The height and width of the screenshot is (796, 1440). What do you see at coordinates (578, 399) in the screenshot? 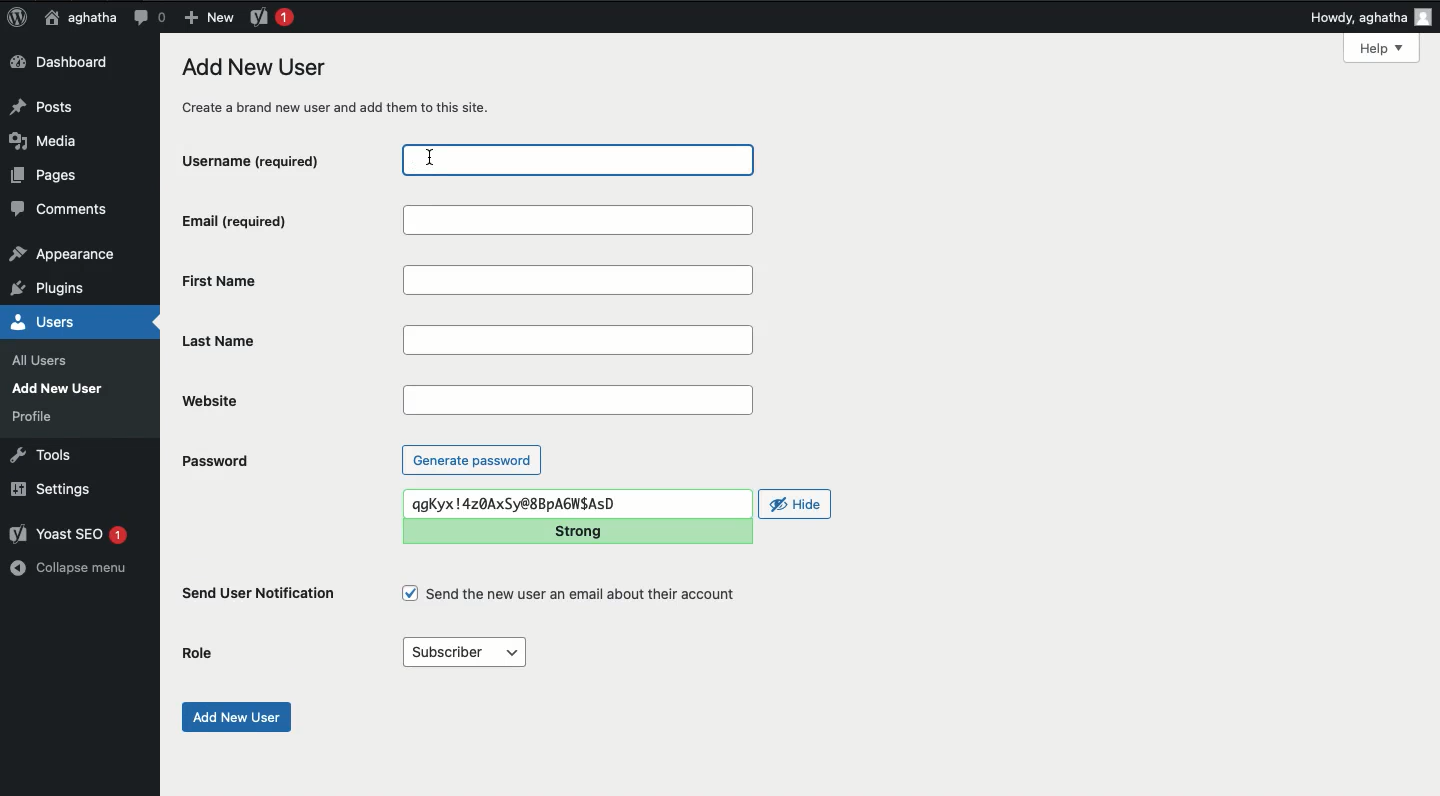
I see `Website` at bounding box center [578, 399].